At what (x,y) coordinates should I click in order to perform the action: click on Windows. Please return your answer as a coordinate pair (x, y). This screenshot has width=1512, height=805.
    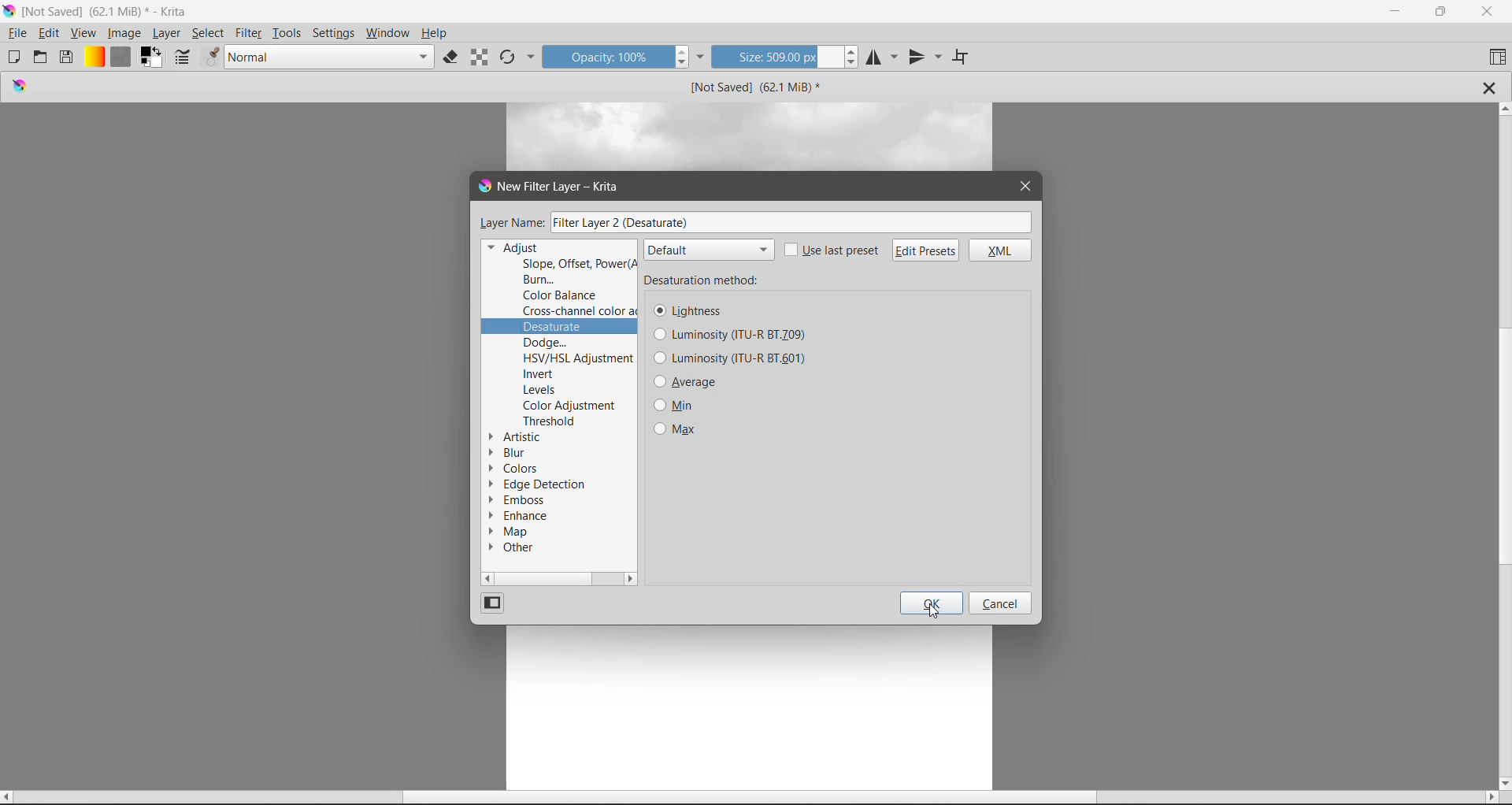
    Looking at the image, I should click on (388, 33).